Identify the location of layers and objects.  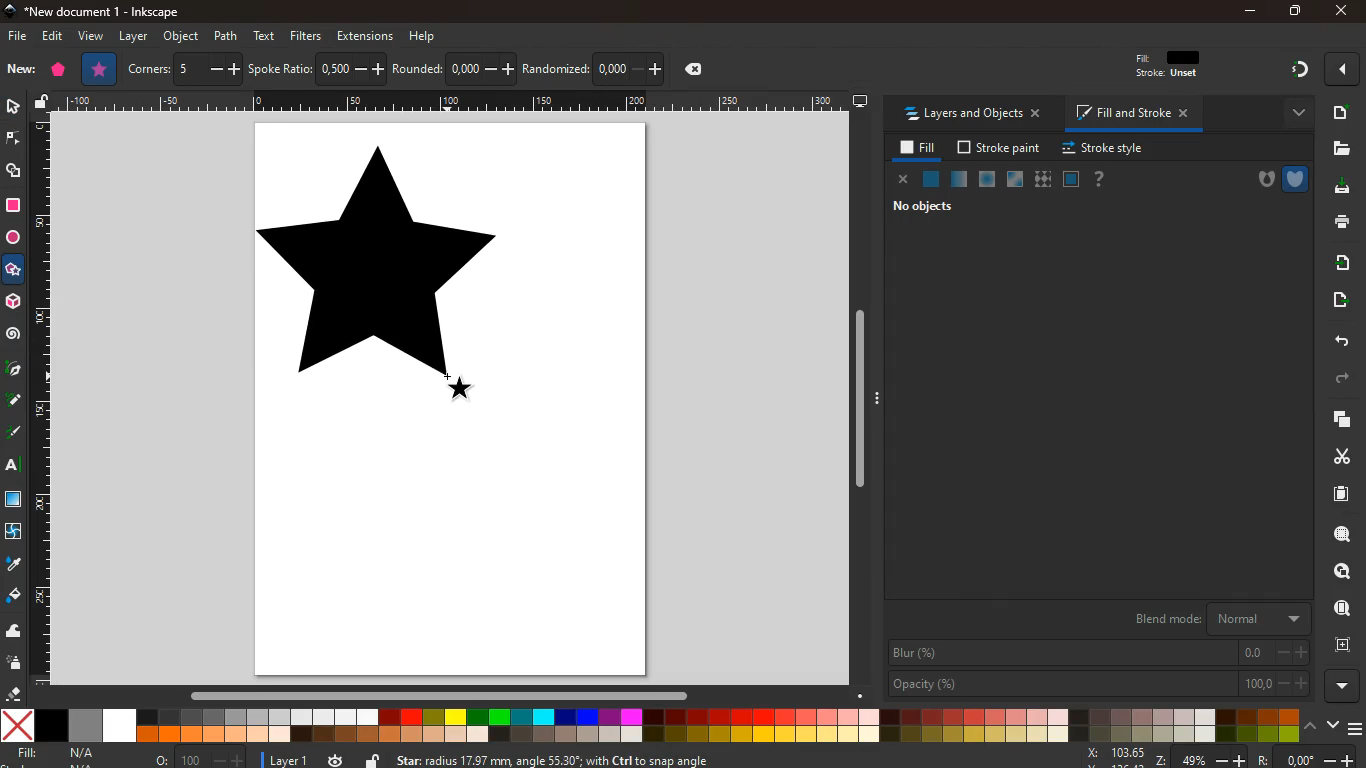
(972, 114).